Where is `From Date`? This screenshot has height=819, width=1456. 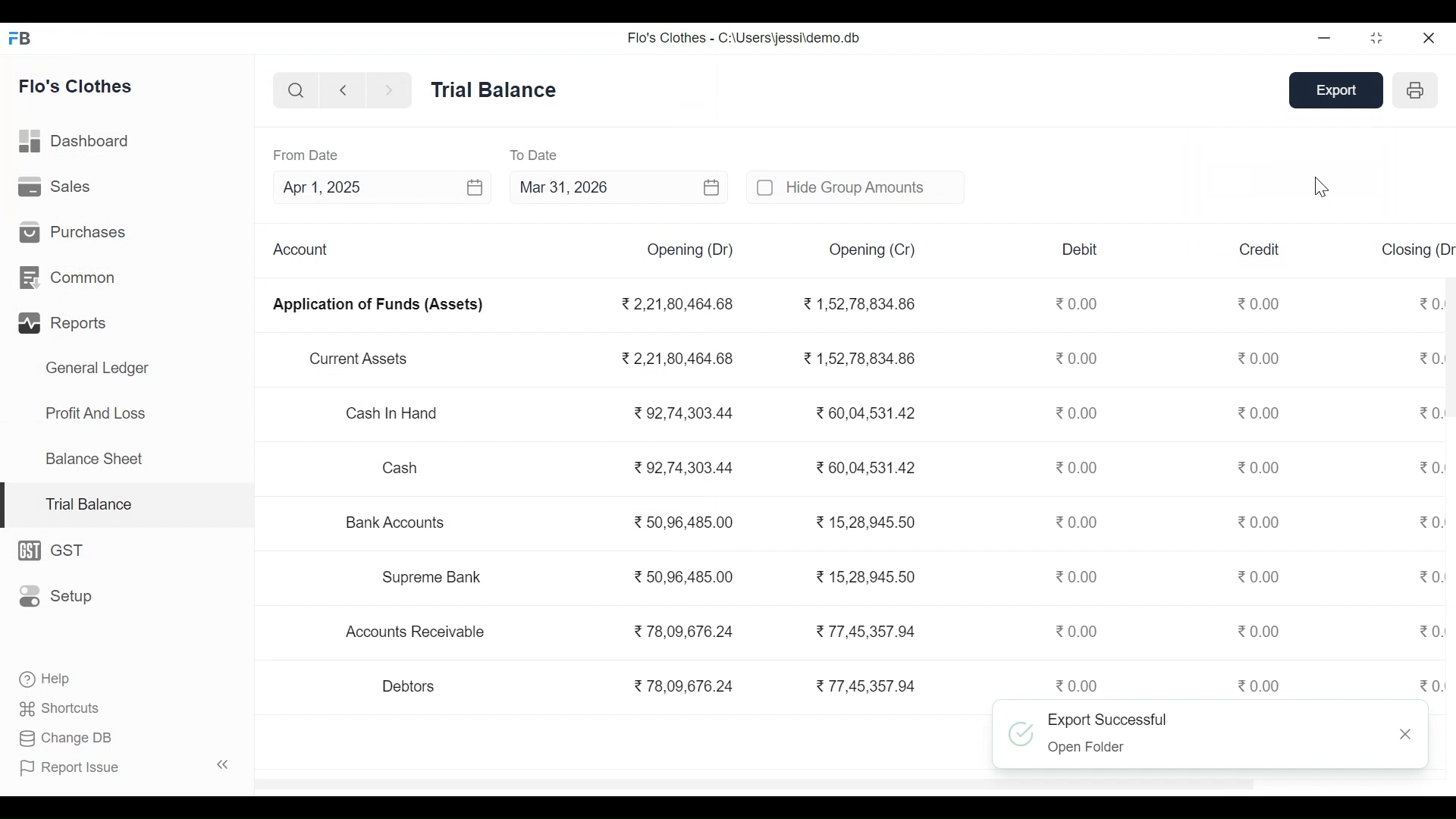 From Date is located at coordinates (306, 155).